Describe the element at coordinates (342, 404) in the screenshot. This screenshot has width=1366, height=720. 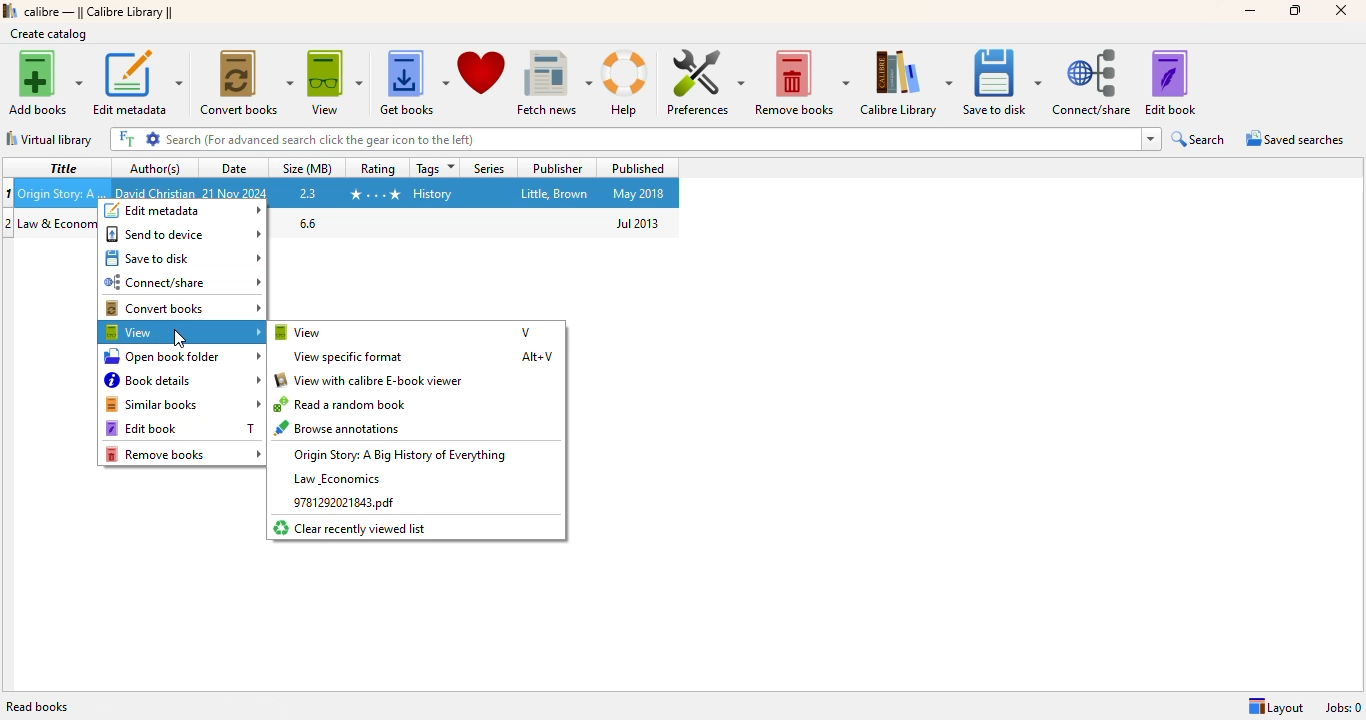
I see `read a random book` at that location.